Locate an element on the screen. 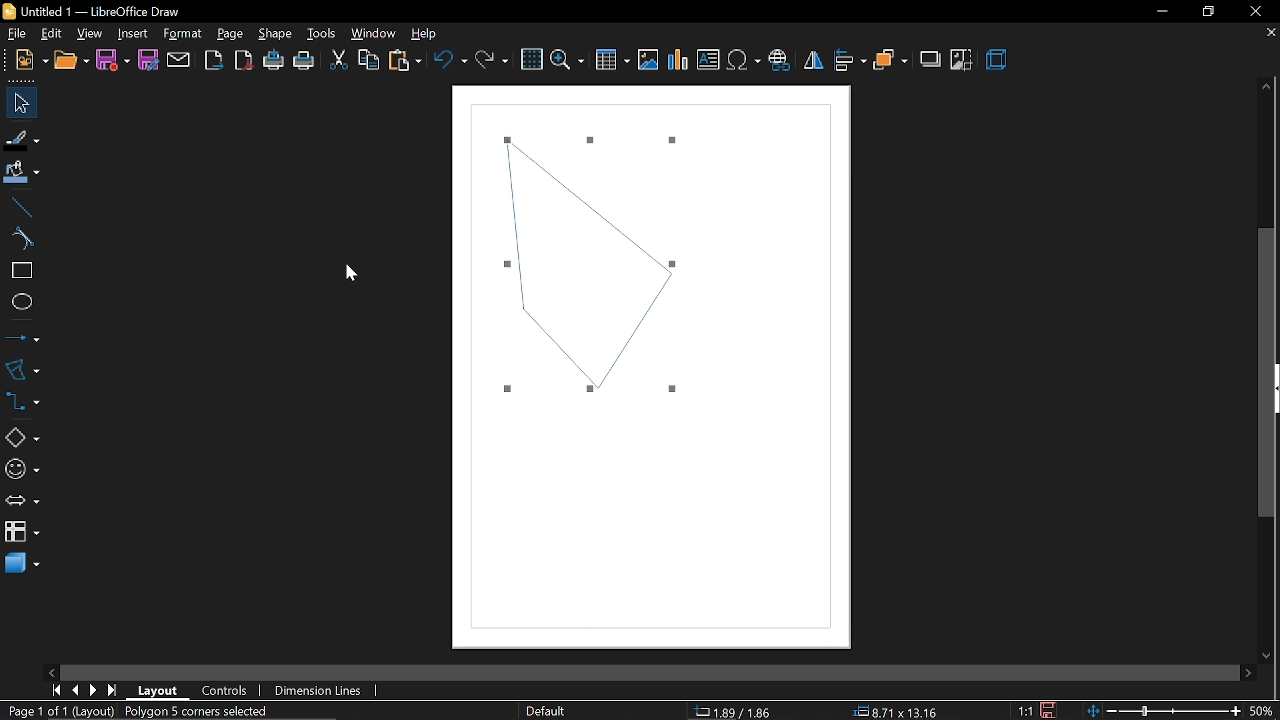 This screenshot has height=720, width=1280. insert symbol is located at coordinates (743, 60).